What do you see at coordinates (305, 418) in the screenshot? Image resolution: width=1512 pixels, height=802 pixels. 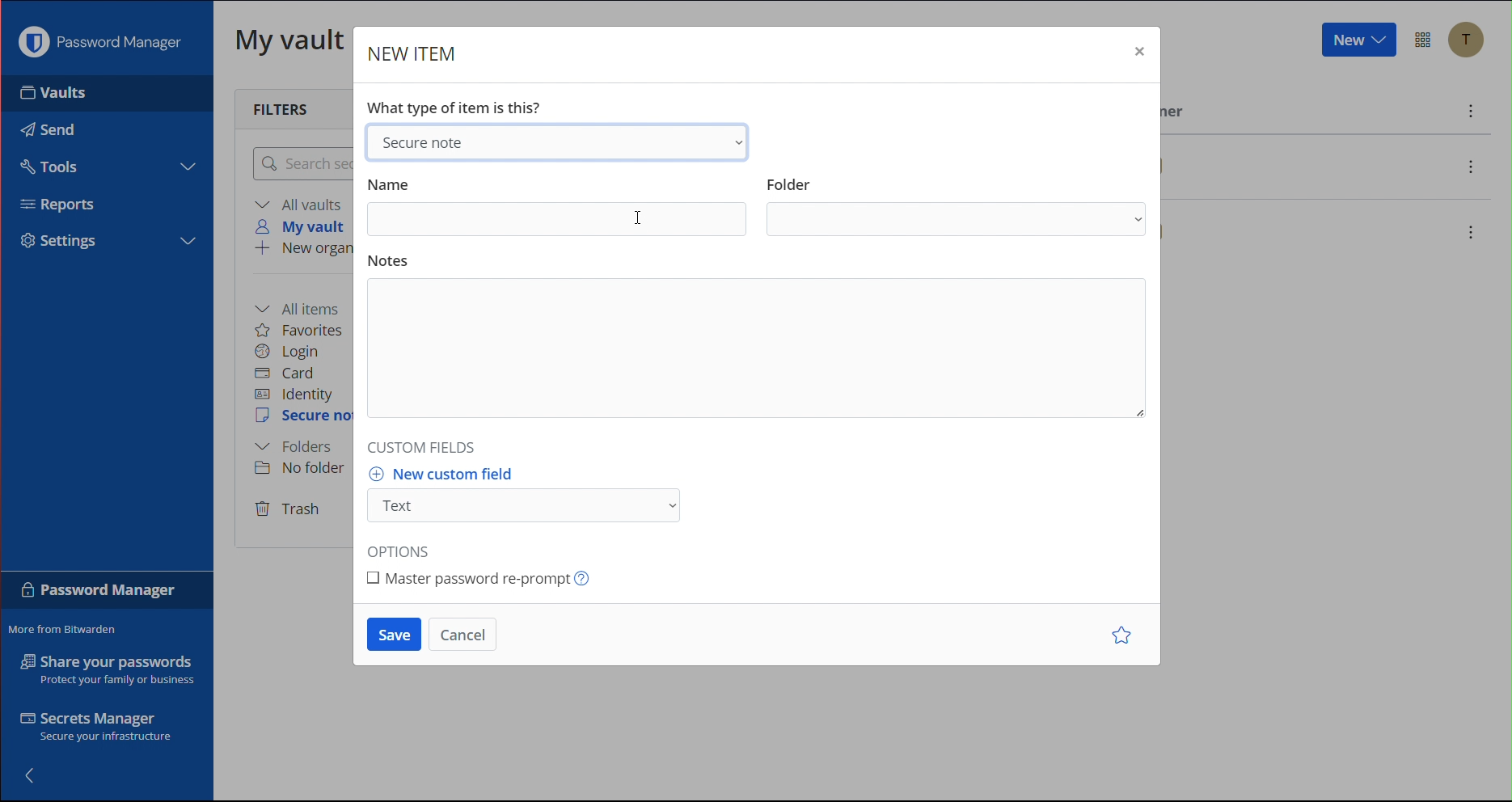 I see `Secure note` at bounding box center [305, 418].